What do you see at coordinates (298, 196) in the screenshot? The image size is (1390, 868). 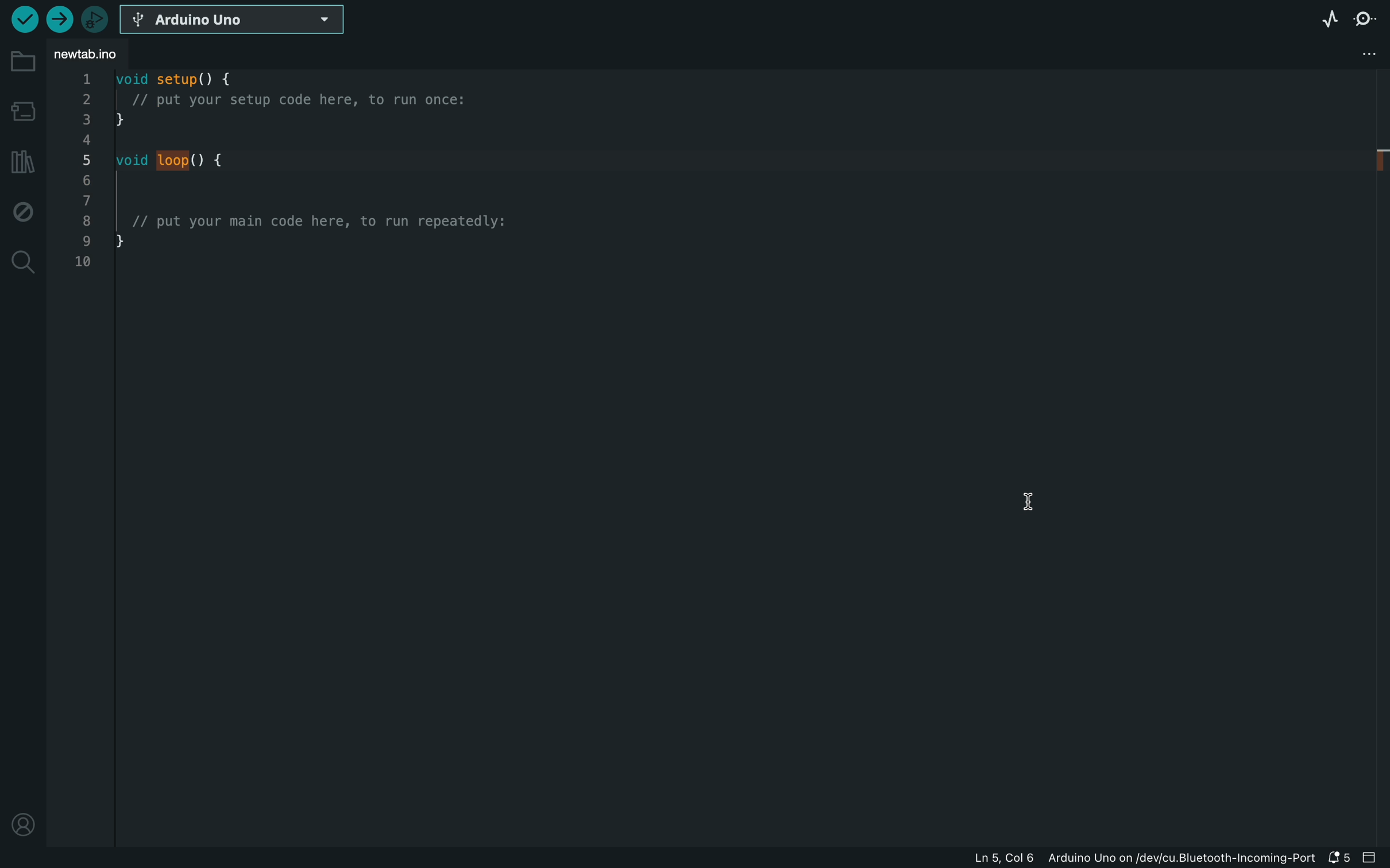 I see `code` at bounding box center [298, 196].